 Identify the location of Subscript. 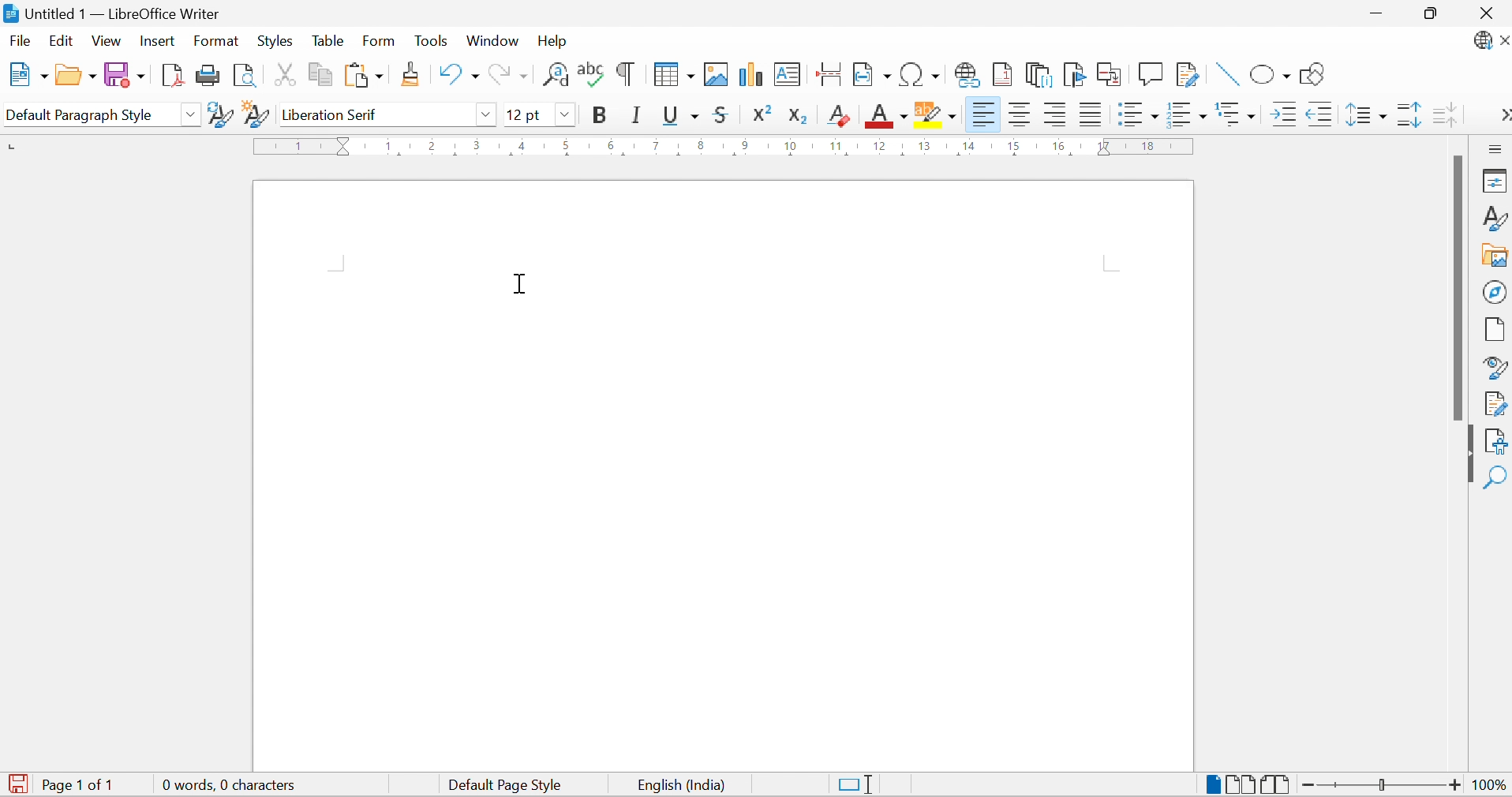
(803, 116).